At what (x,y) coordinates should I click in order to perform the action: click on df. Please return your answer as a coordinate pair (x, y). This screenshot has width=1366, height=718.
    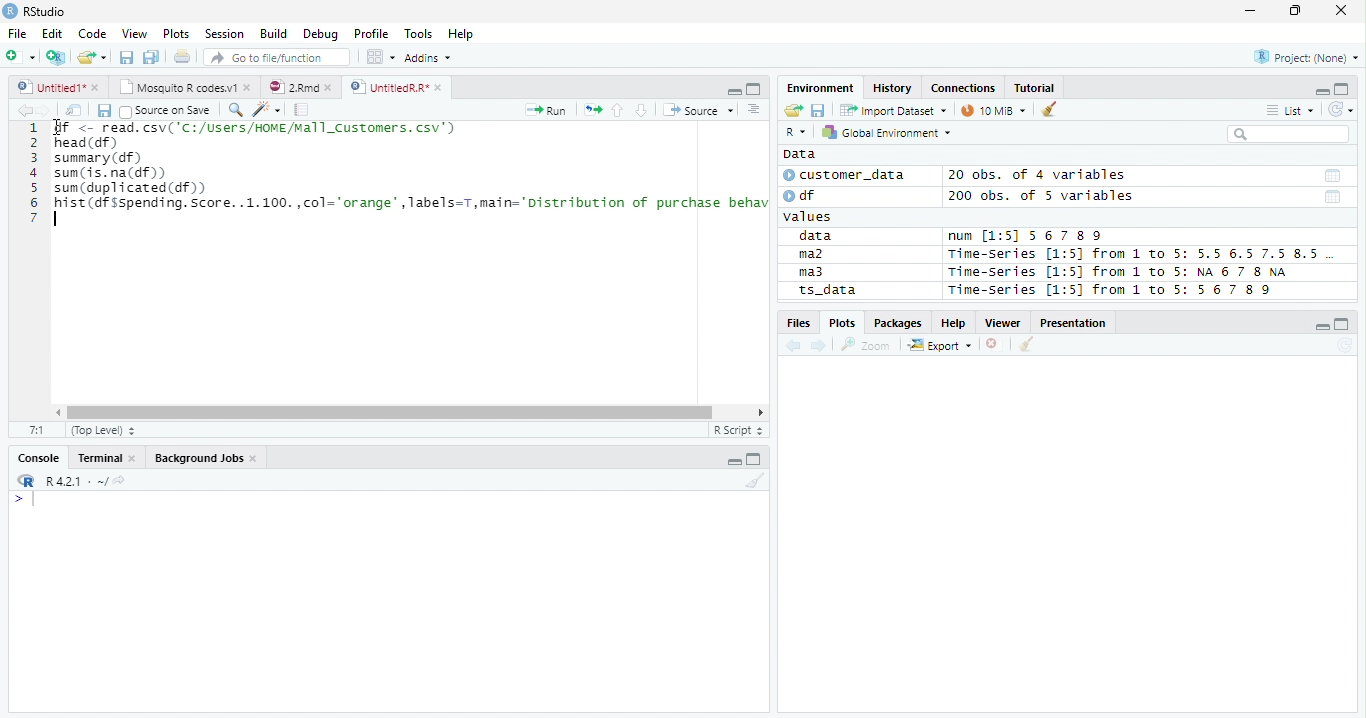
    Looking at the image, I should click on (806, 195).